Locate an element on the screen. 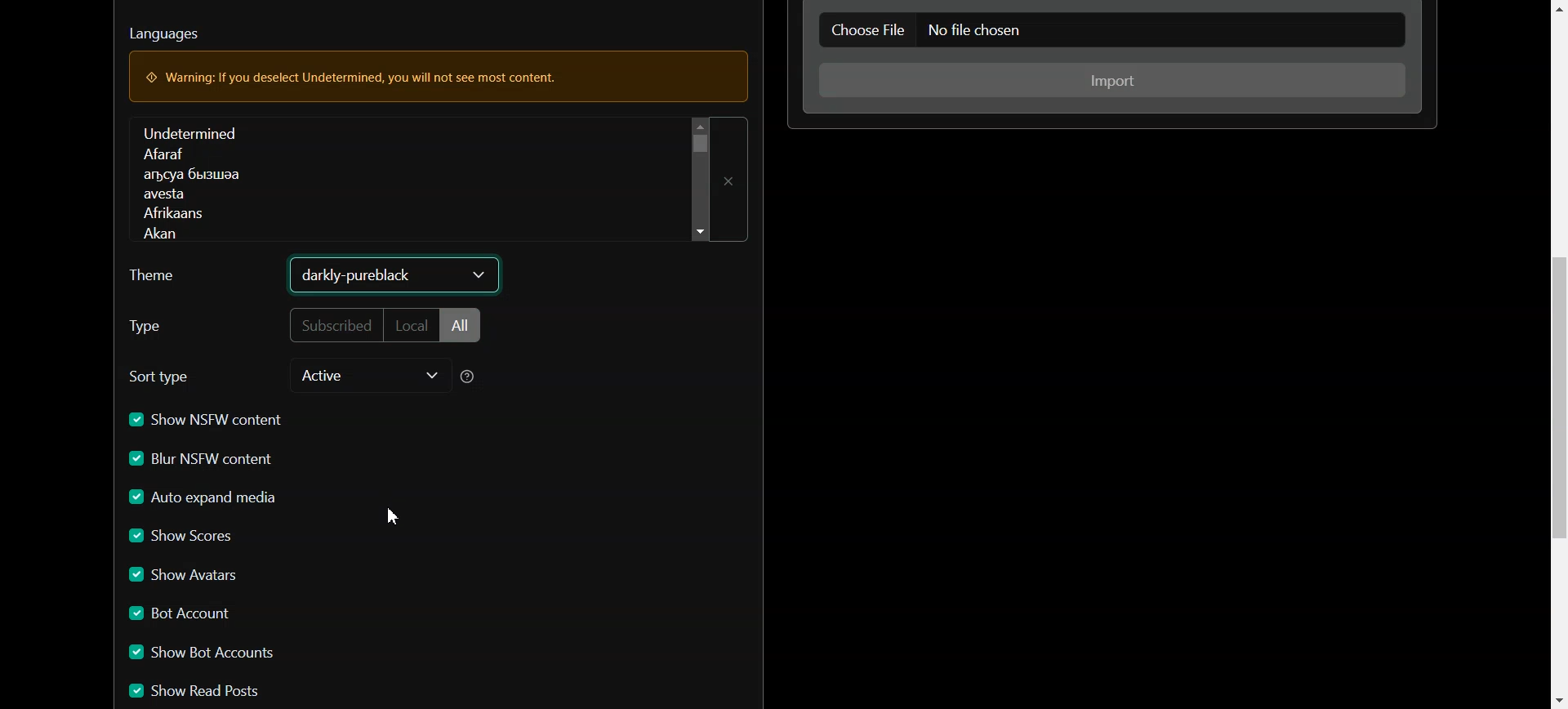  Close is located at coordinates (733, 181).